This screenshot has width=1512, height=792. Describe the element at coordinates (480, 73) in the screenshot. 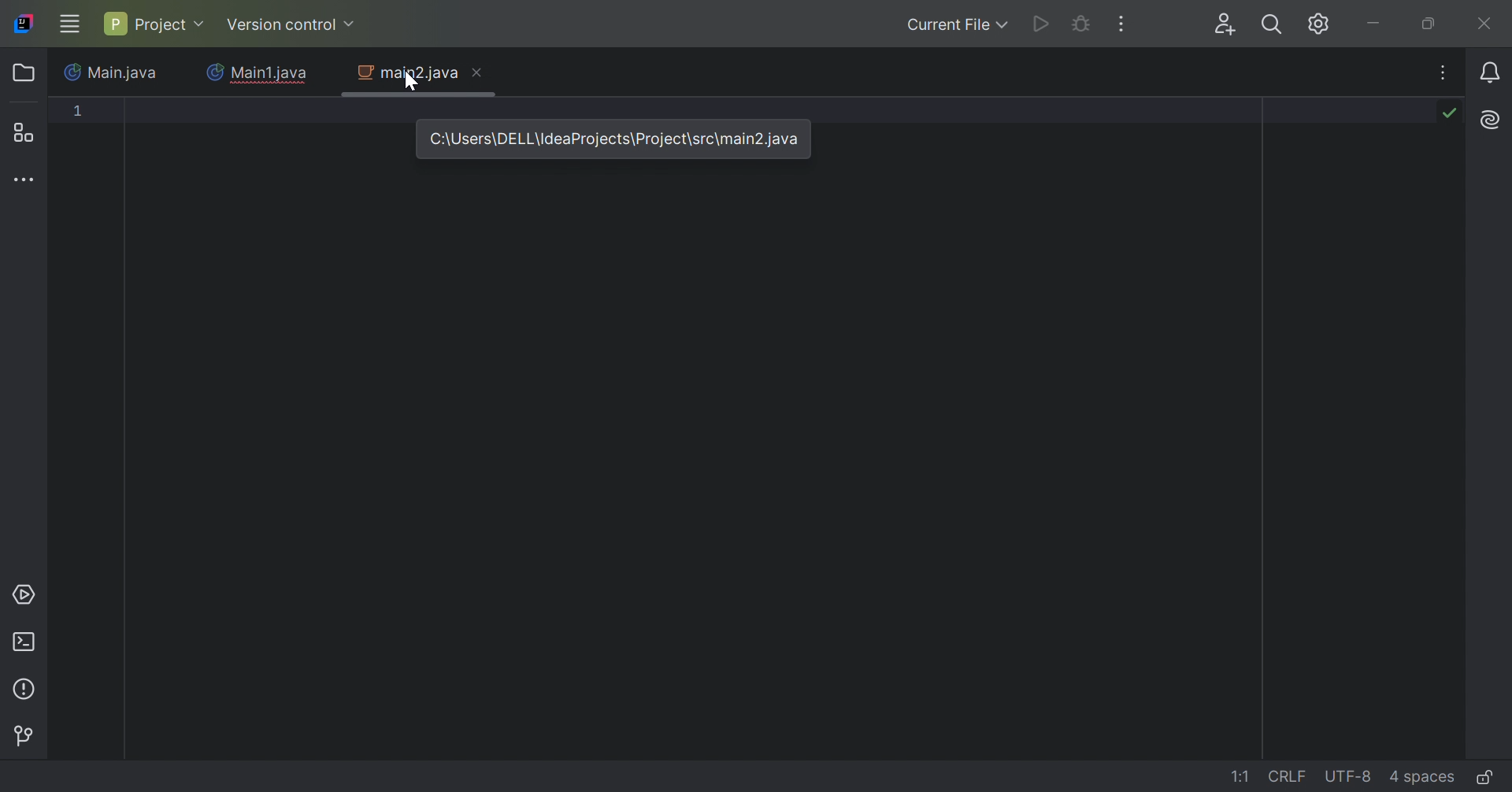

I see `Close` at that location.